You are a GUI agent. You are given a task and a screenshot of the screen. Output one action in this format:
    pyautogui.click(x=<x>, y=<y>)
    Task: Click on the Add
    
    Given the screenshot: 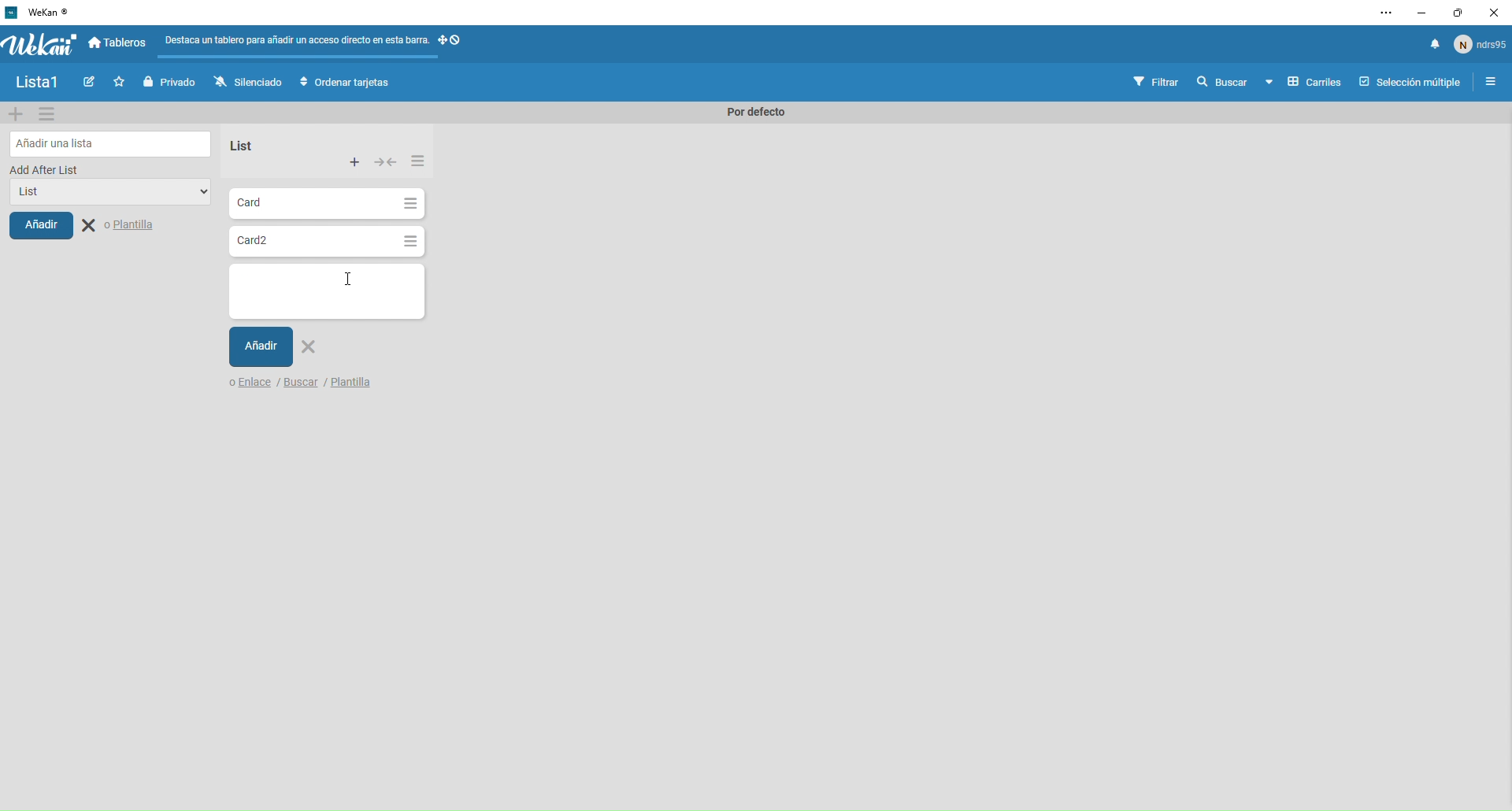 What is the action you would take?
    pyautogui.click(x=41, y=224)
    